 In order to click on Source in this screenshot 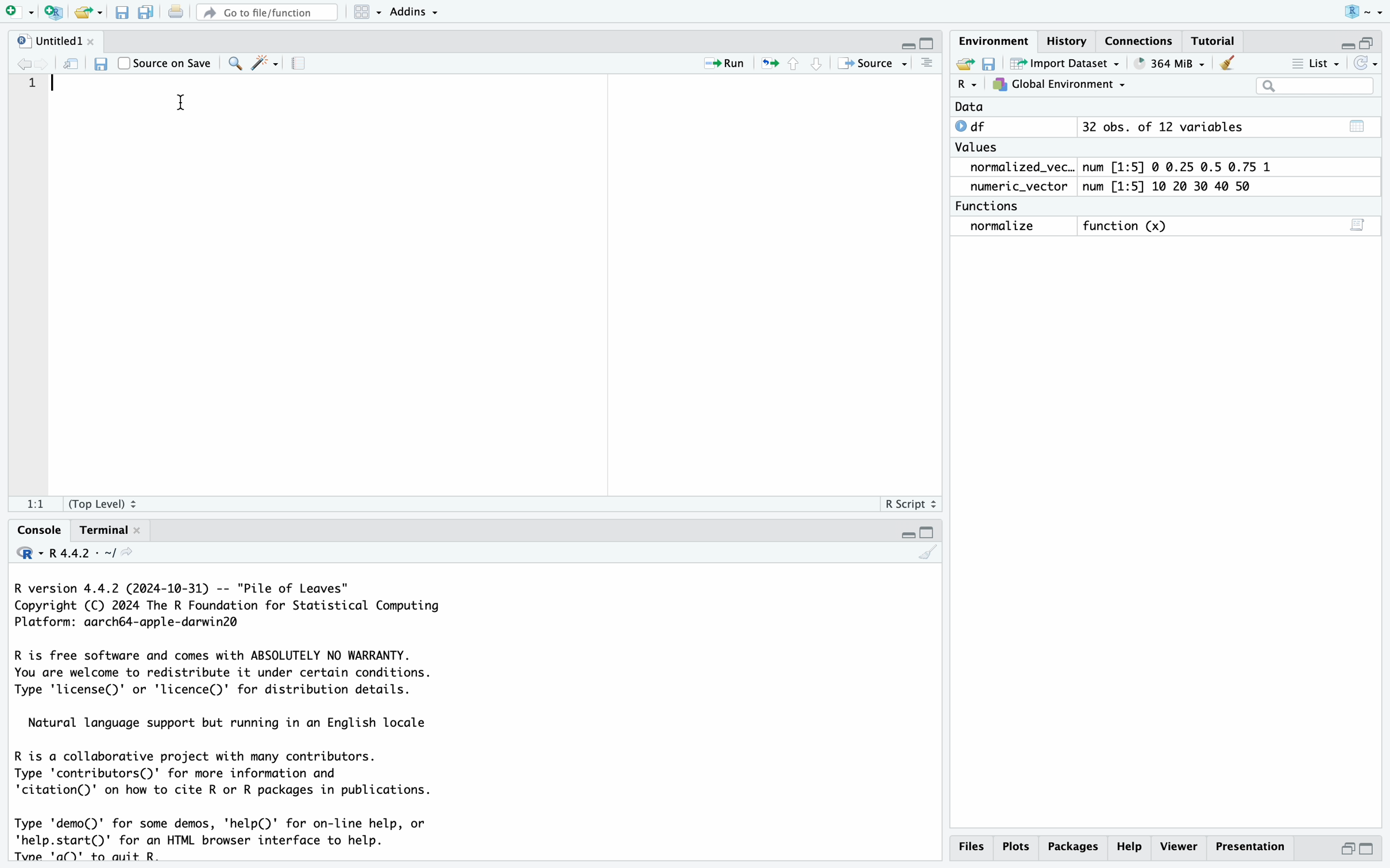, I will do `click(871, 63)`.